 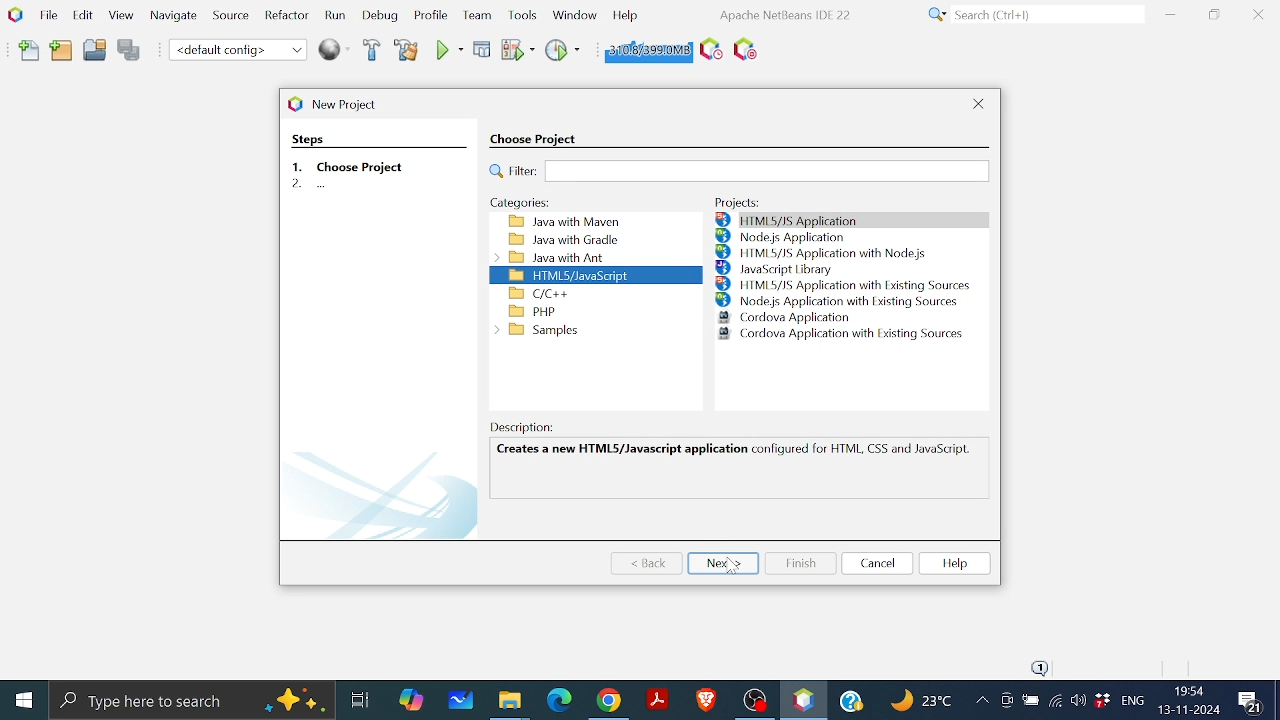 I want to click on Description:, so click(x=523, y=427).